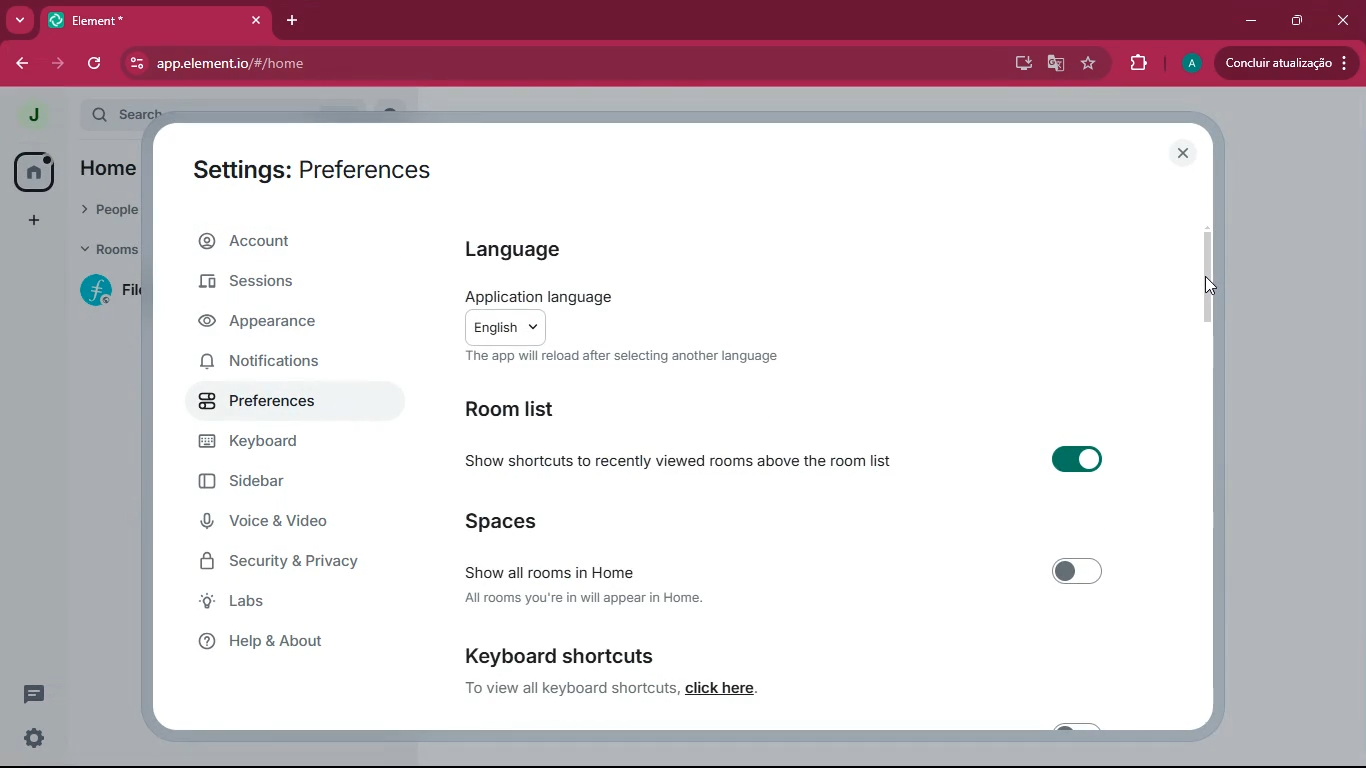 This screenshot has width=1366, height=768. Describe the element at coordinates (1092, 64) in the screenshot. I see `favourite` at that location.